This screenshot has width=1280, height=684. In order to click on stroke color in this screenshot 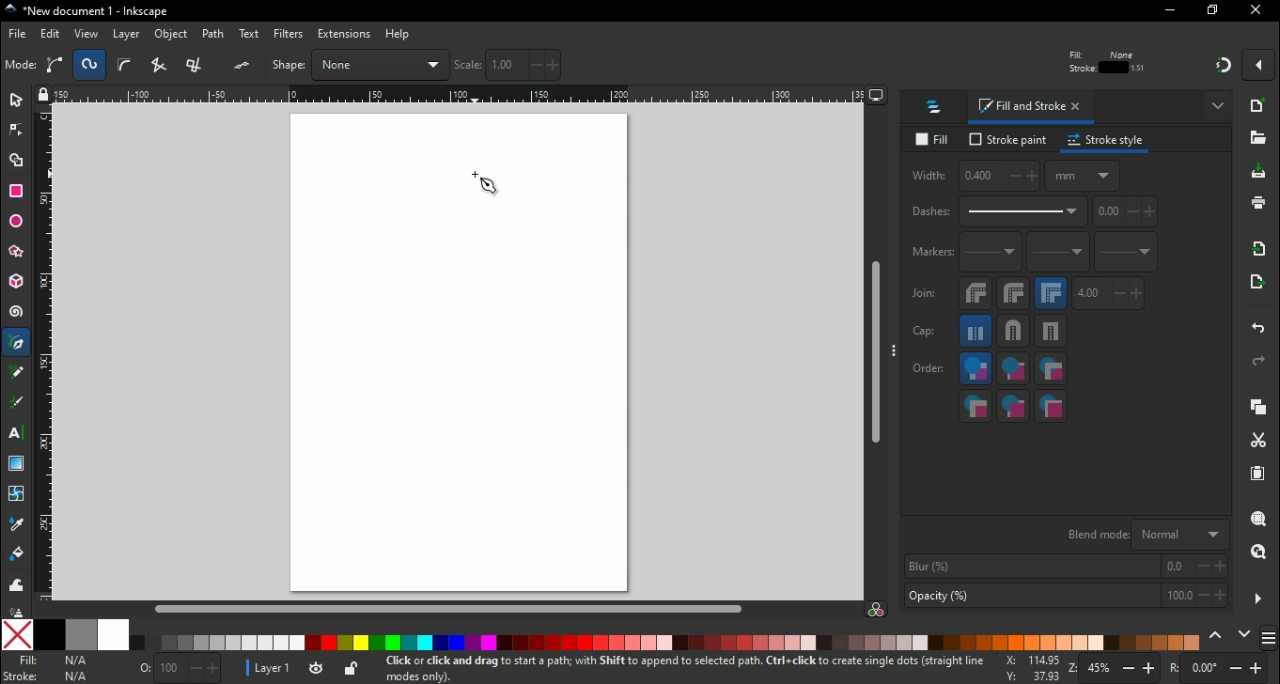, I will do `click(52, 676)`.